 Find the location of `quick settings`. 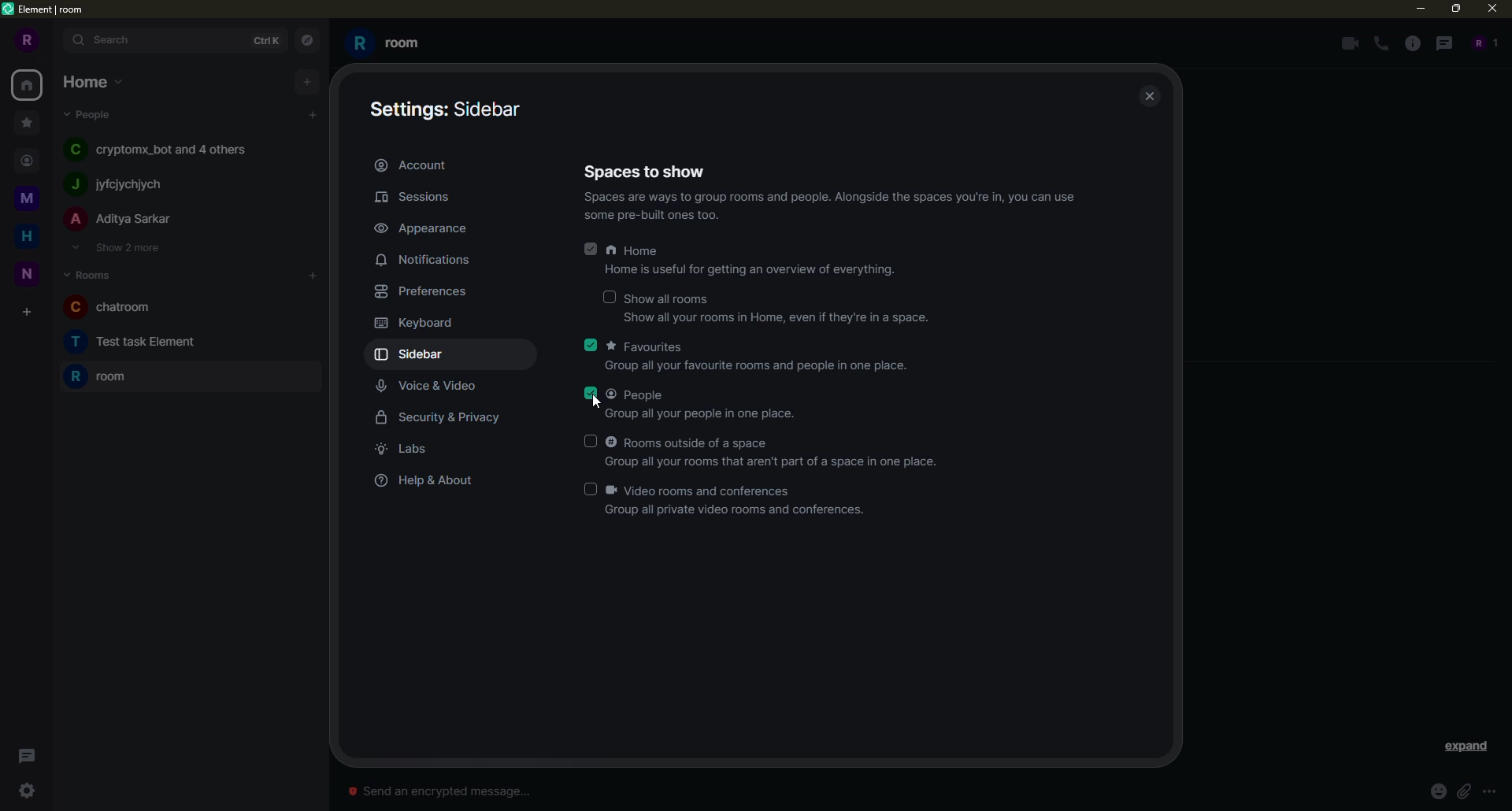

quick settings is located at coordinates (29, 791).